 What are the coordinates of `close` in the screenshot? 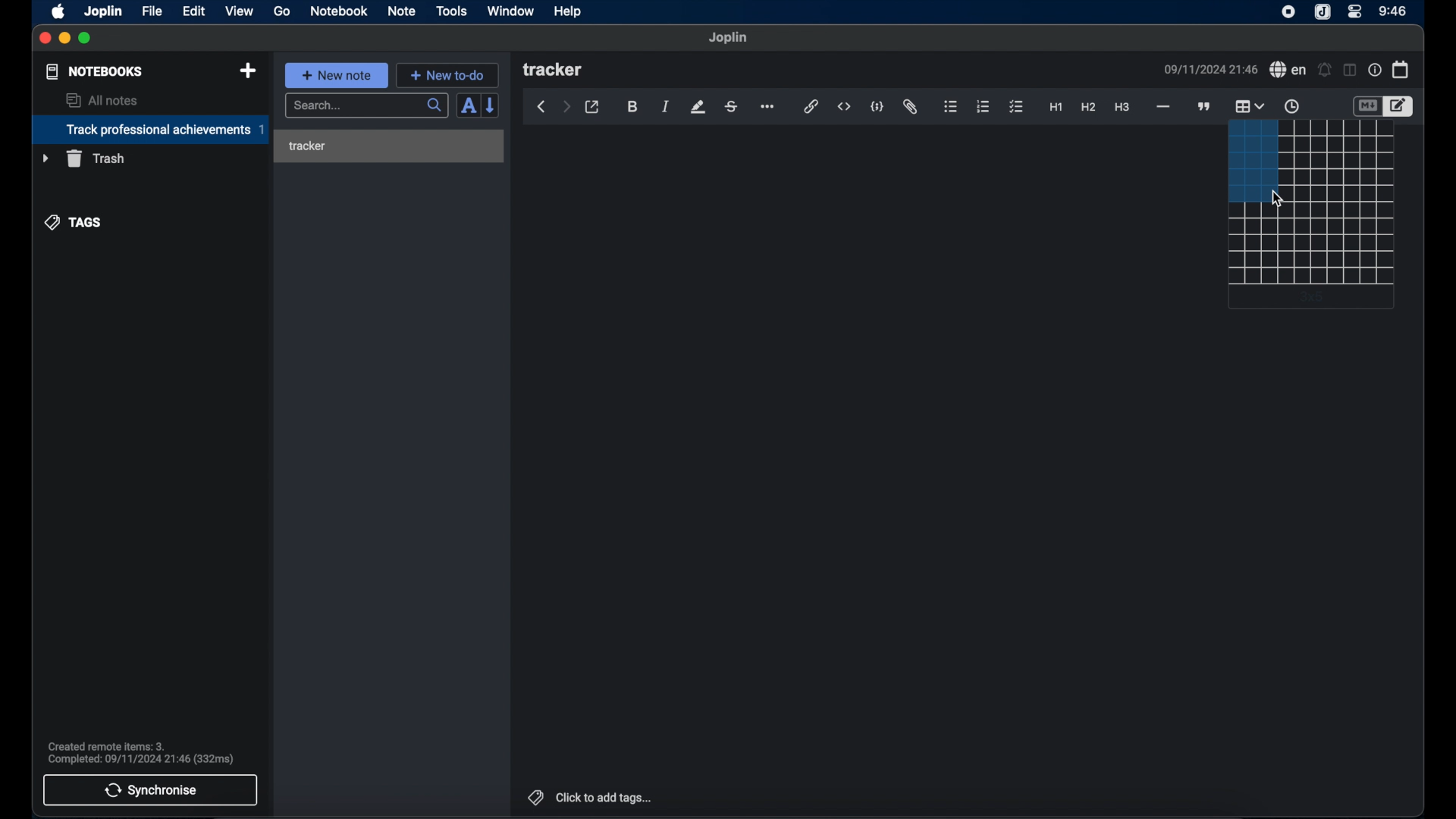 It's located at (45, 38).